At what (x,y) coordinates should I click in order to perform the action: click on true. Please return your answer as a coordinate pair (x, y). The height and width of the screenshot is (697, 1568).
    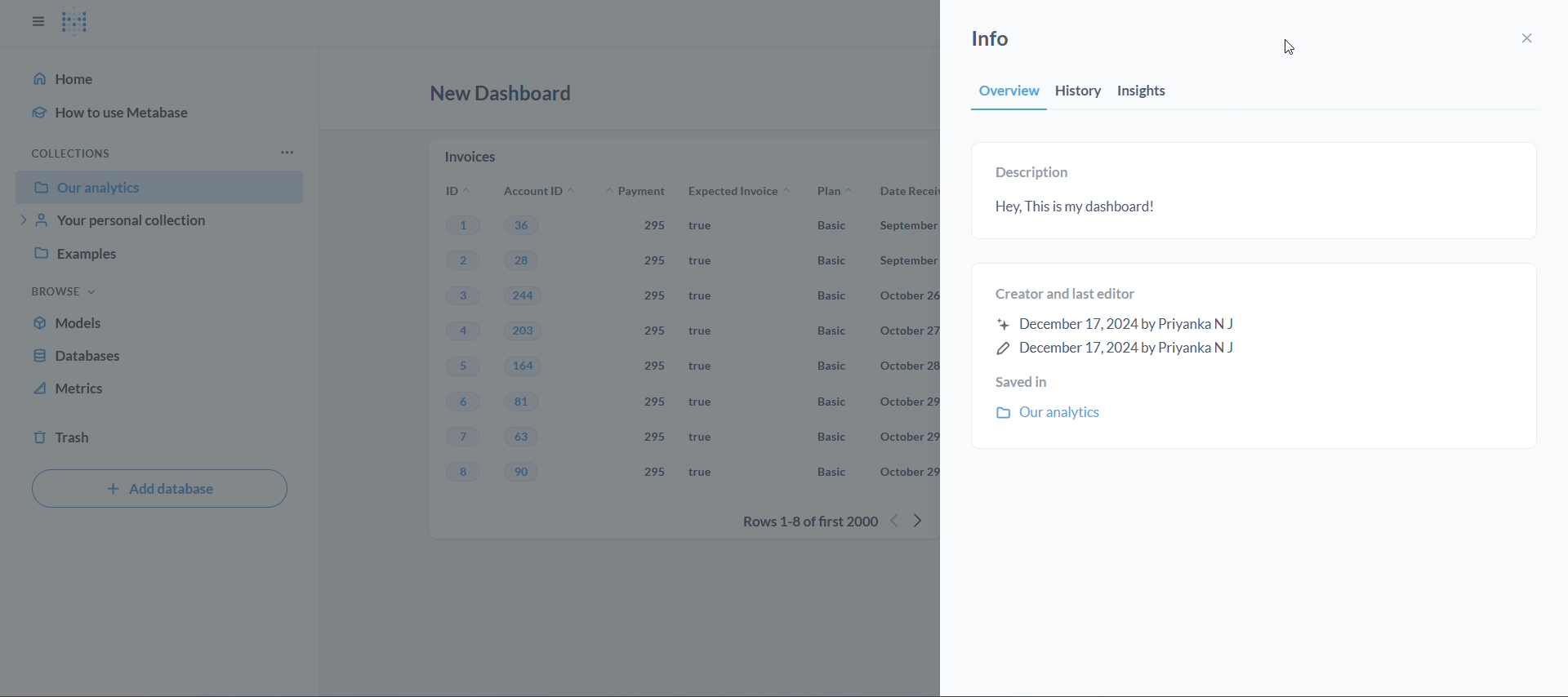
    Looking at the image, I should click on (703, 367).